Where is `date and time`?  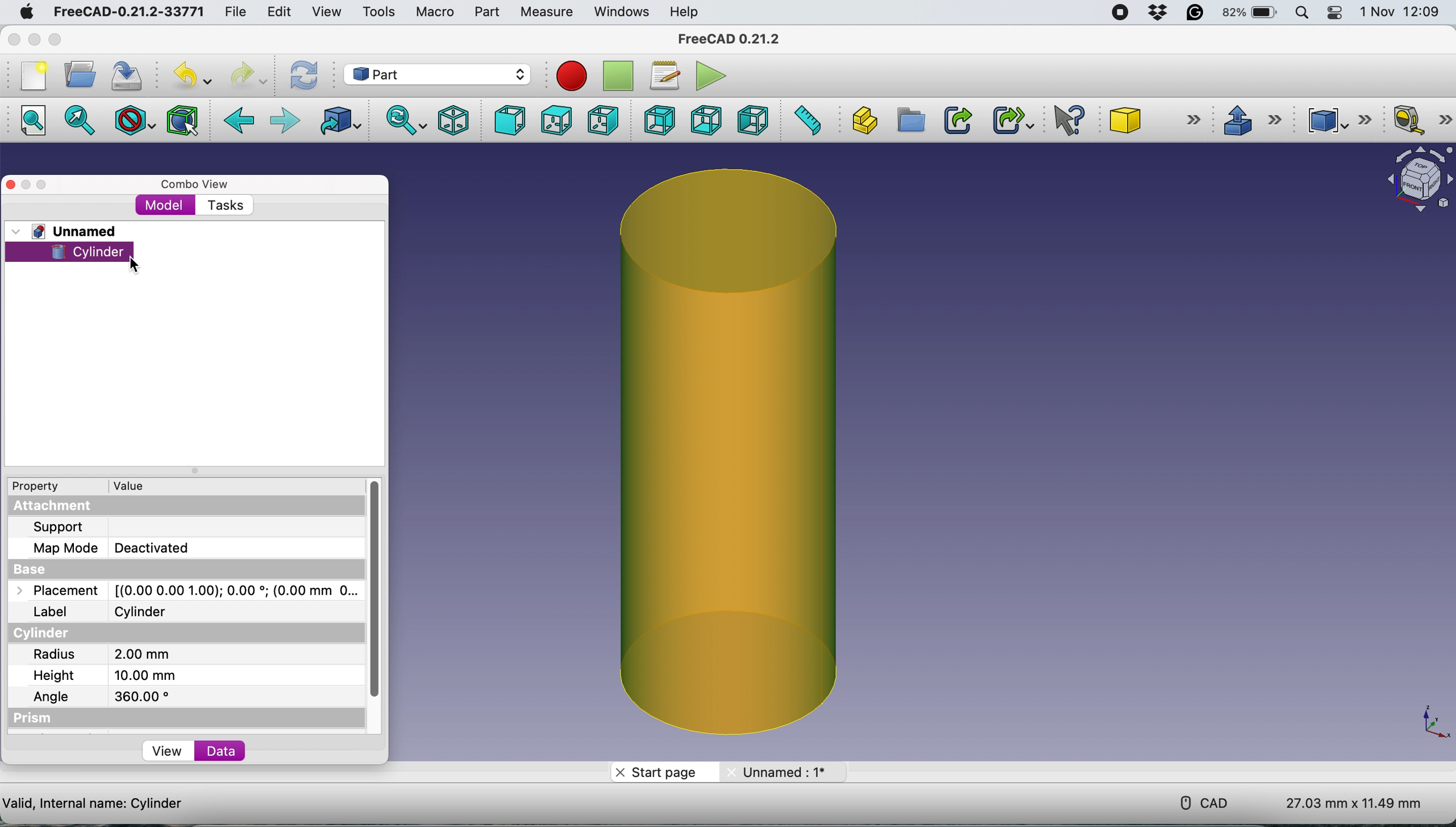 date and time is located at coordinates (1400, 12).